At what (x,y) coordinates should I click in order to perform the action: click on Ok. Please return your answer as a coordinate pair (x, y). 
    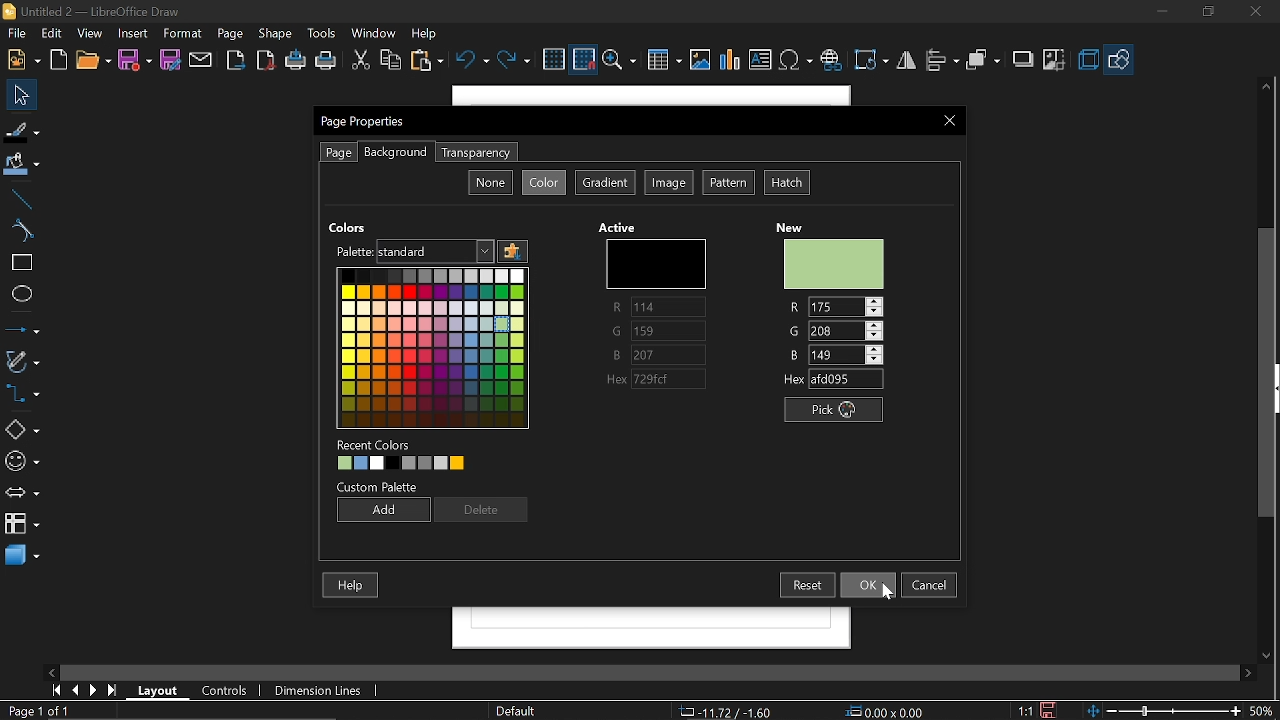
    Looking at the image, I should click on (866, 586).